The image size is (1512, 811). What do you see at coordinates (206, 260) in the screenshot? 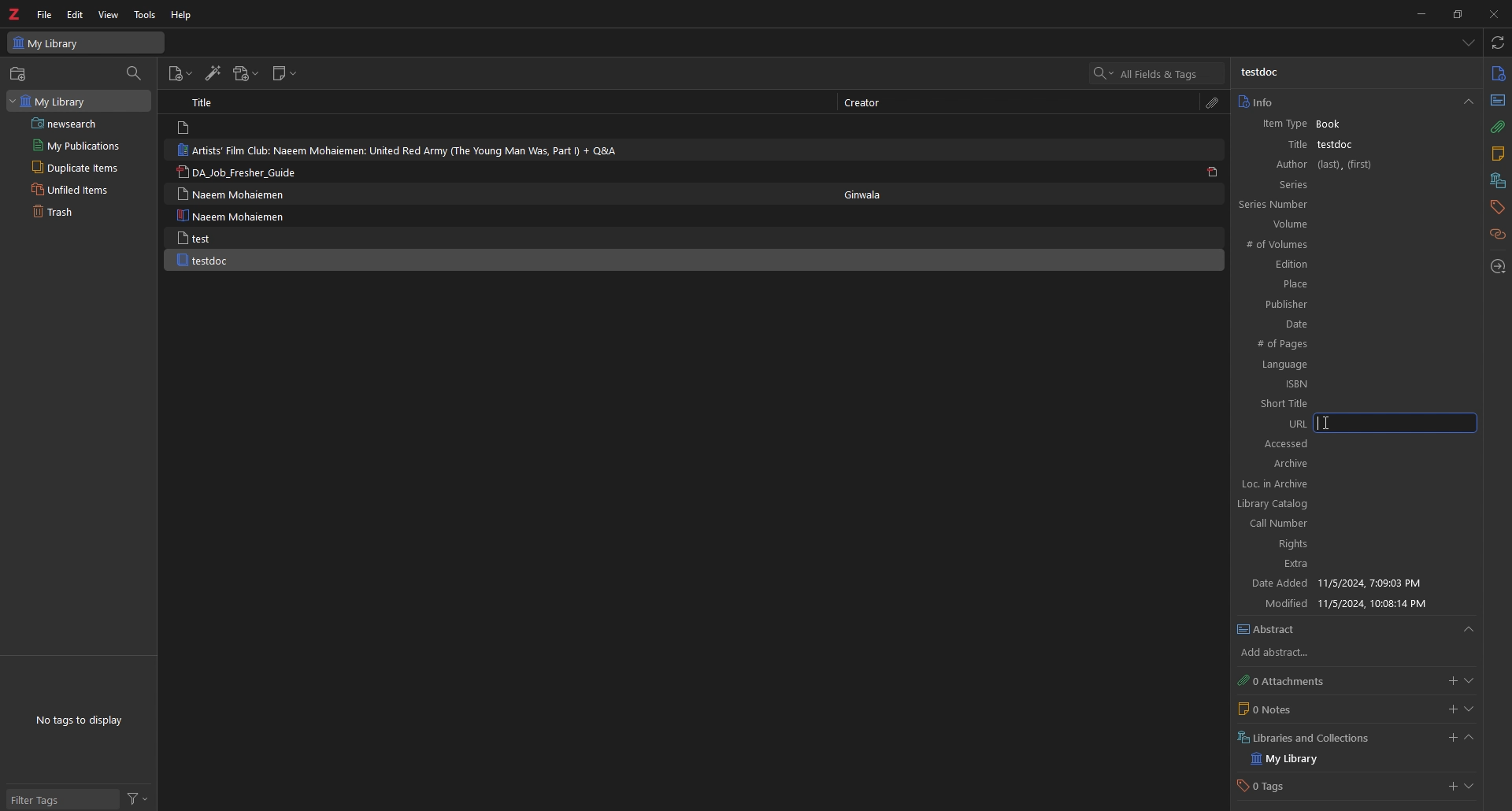
I see `testdoc` at bounding box center [206, 260].